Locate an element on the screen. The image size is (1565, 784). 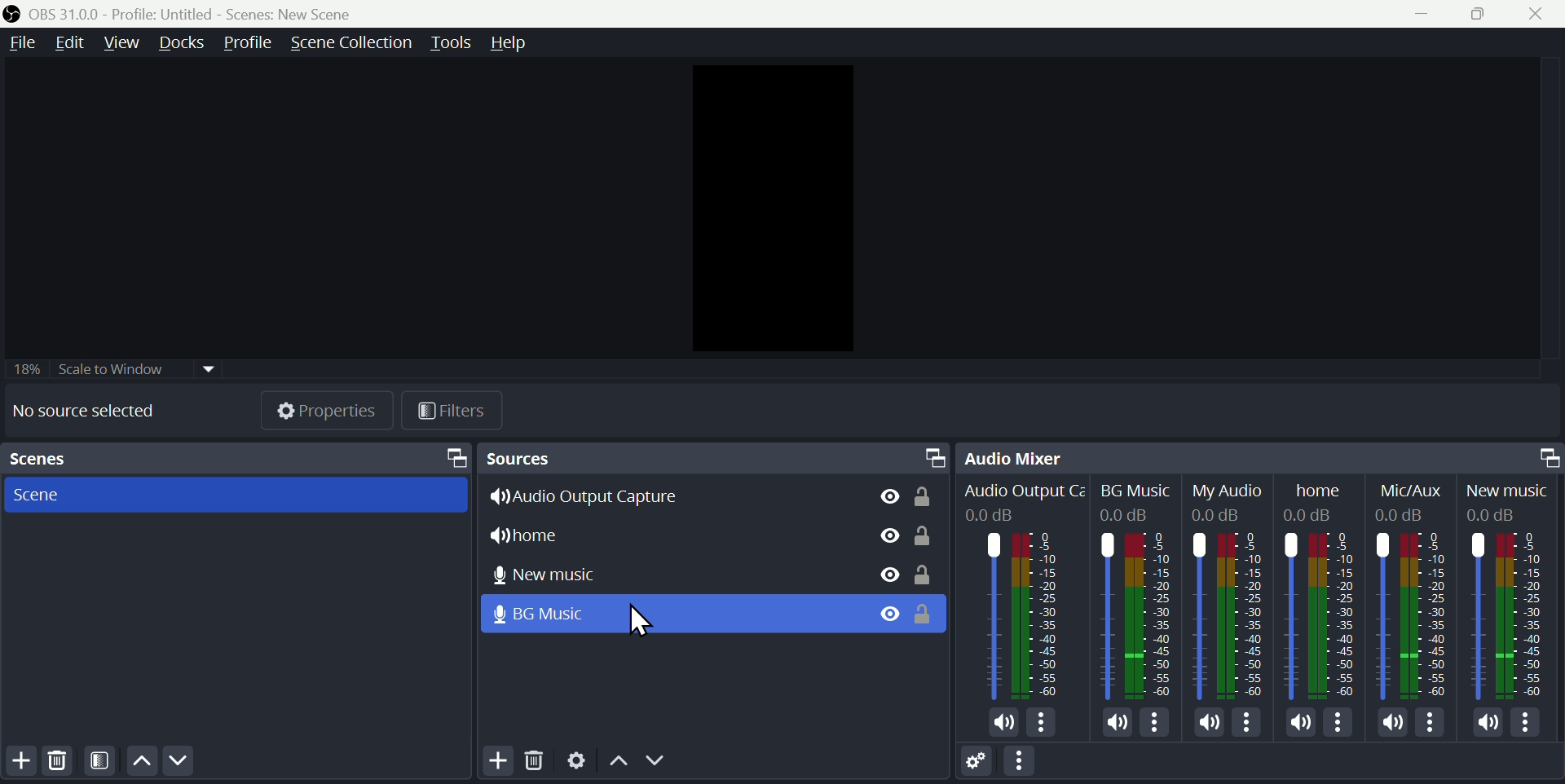
Sources is located at coordinates (578, 457).